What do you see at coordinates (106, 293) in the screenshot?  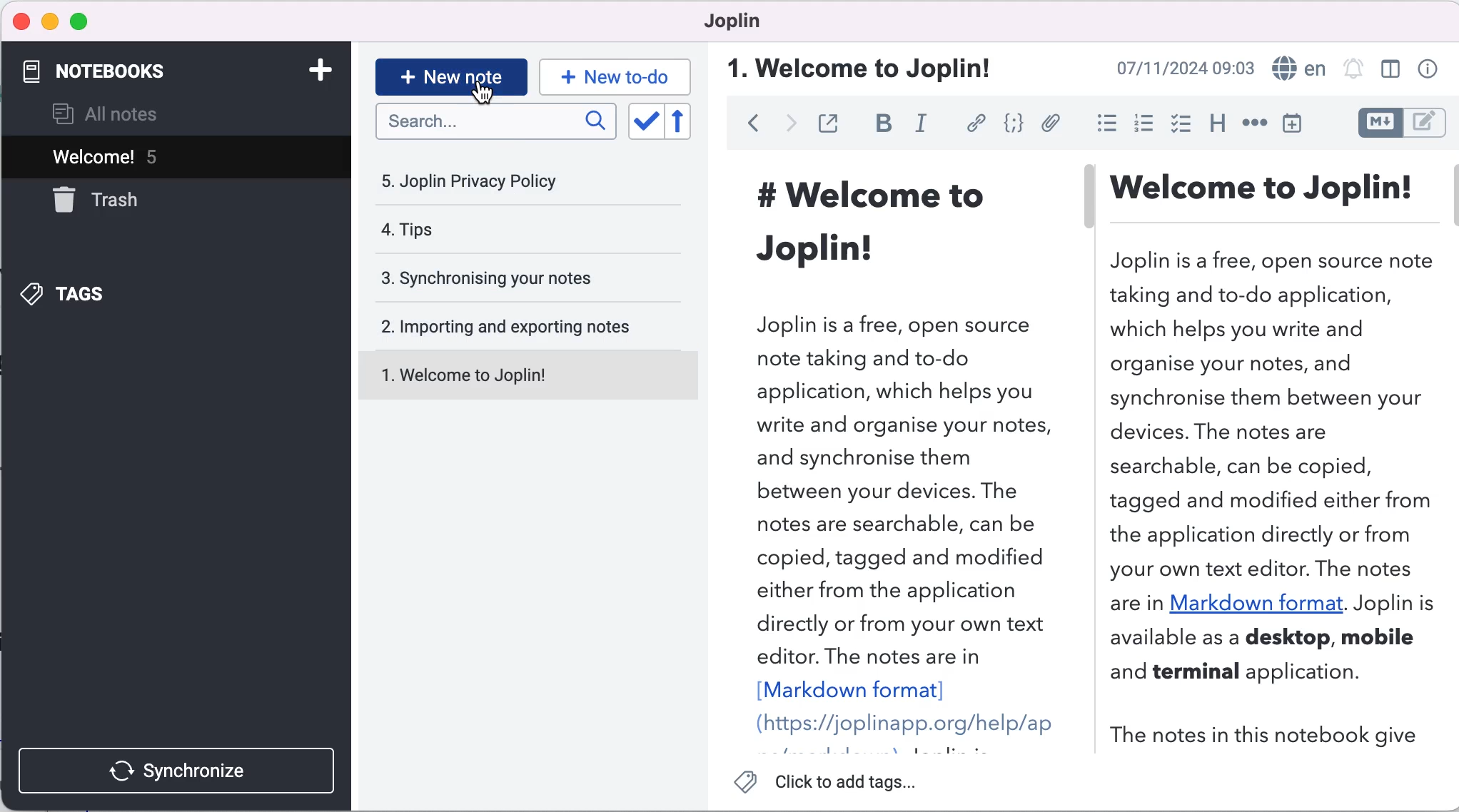 I see `tags` at bounding box center [106, 293].